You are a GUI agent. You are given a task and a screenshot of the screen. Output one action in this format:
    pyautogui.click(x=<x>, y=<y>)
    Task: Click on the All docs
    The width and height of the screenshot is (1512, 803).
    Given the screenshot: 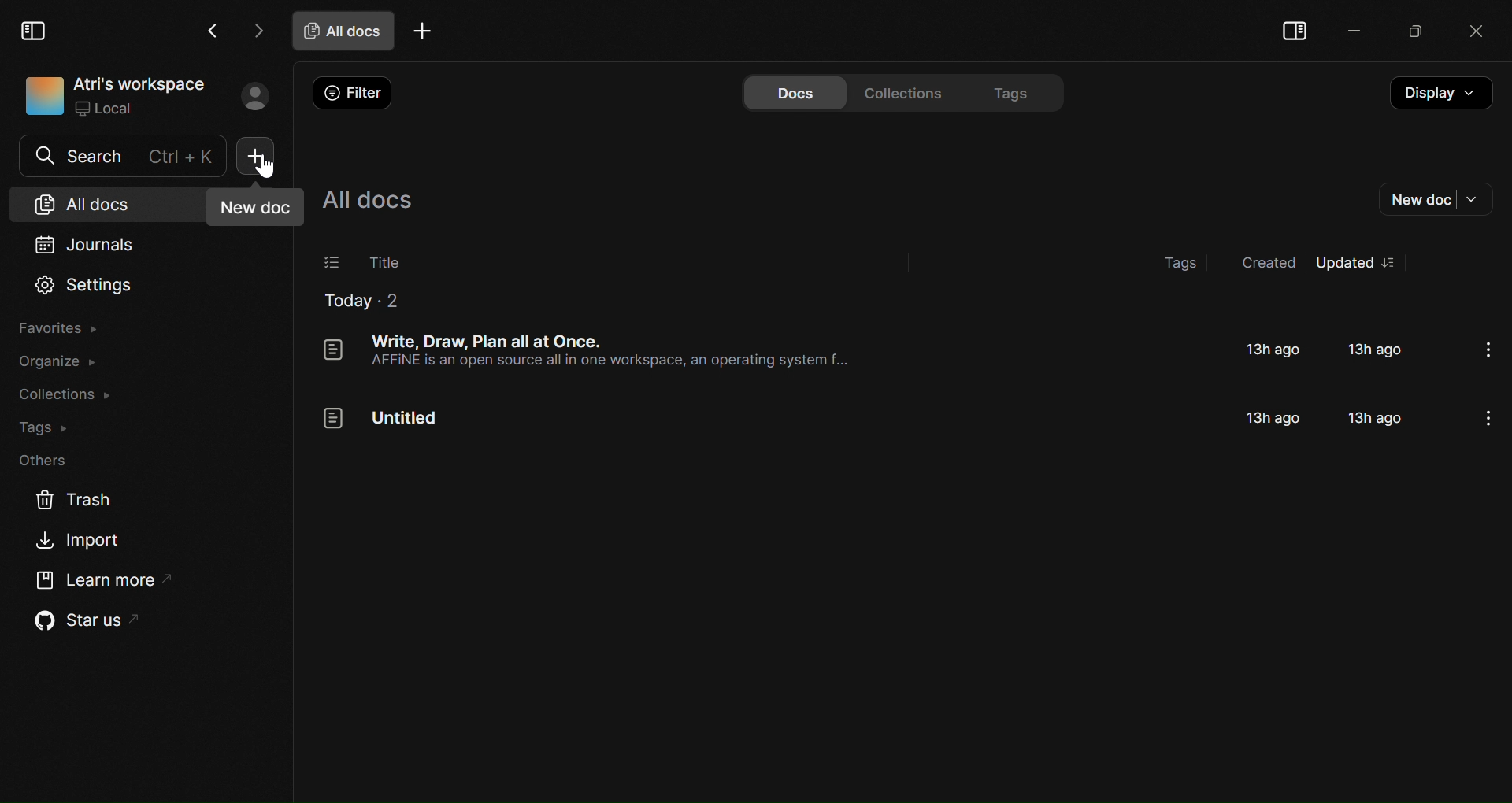 What is the action you would take?
    pyautogui.click(x=344, y=30)
    